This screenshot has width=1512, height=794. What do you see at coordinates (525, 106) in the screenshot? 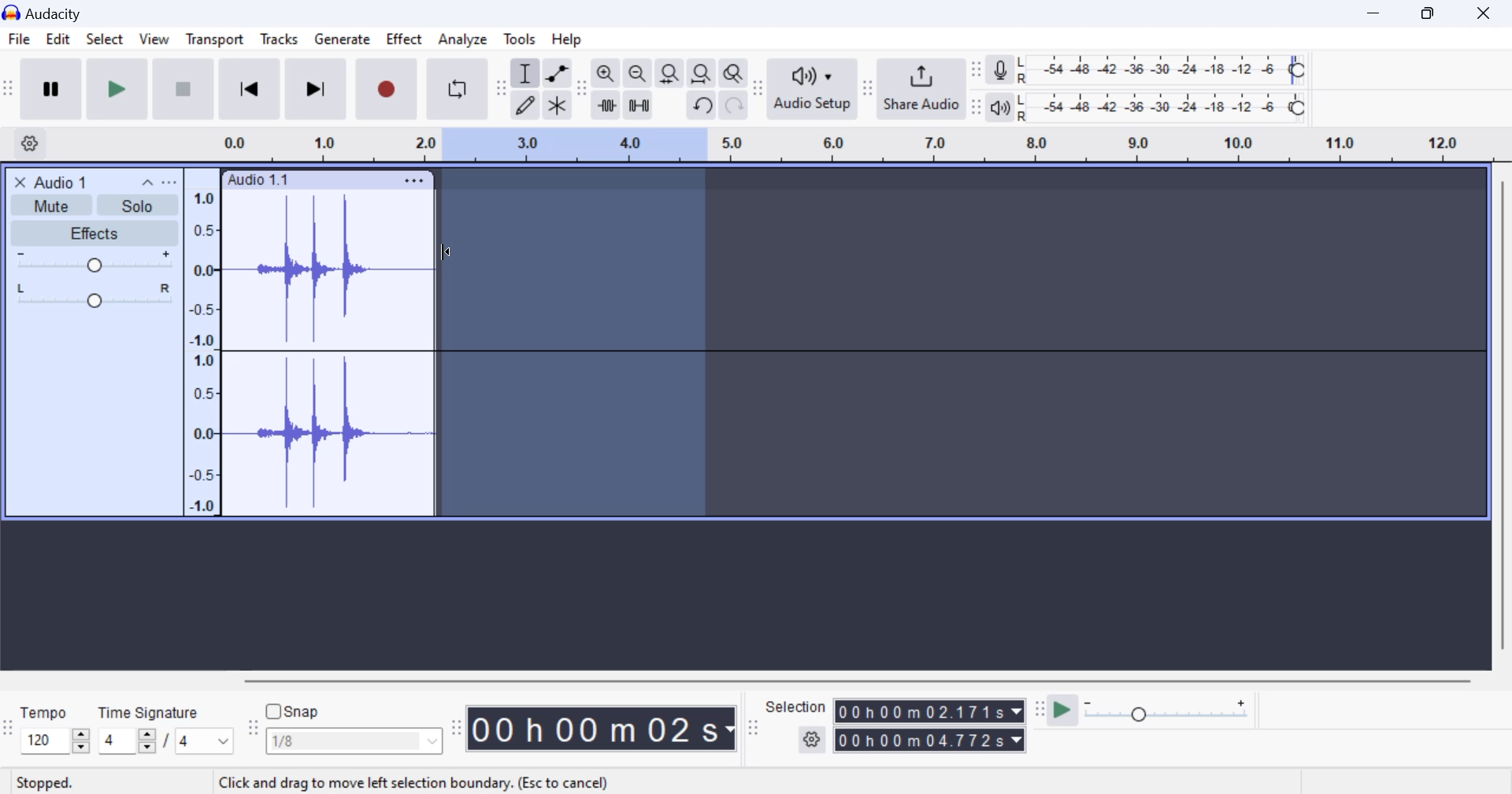
I see `draw tool` at bounding box center [525, 106].